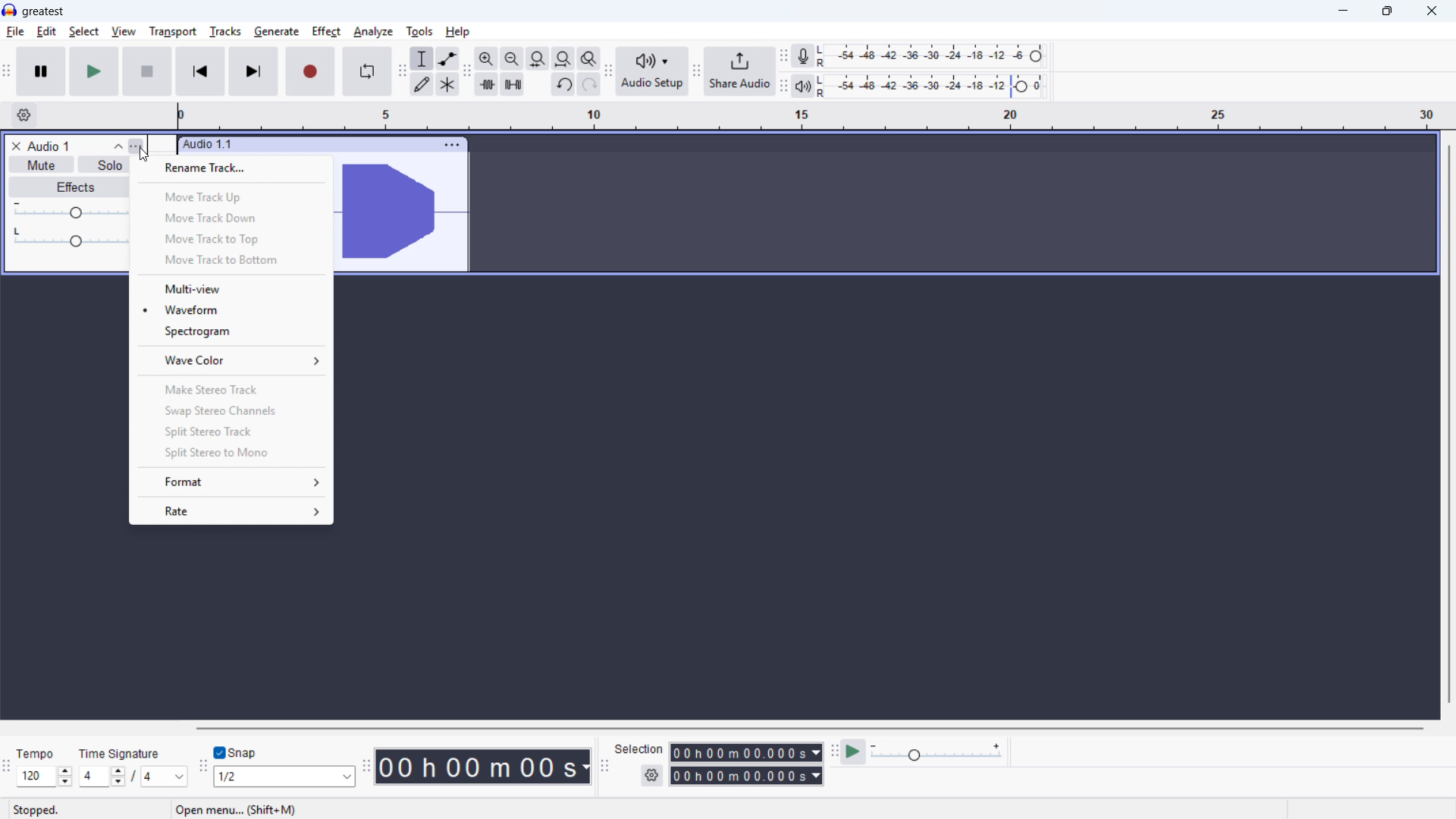 Image resolution: width=1456 pixels, height=819 pixels. What do you see at coordinates (232, 238) in the screenshot?
I see `Move track to top ` at bounding box center [232, 238].